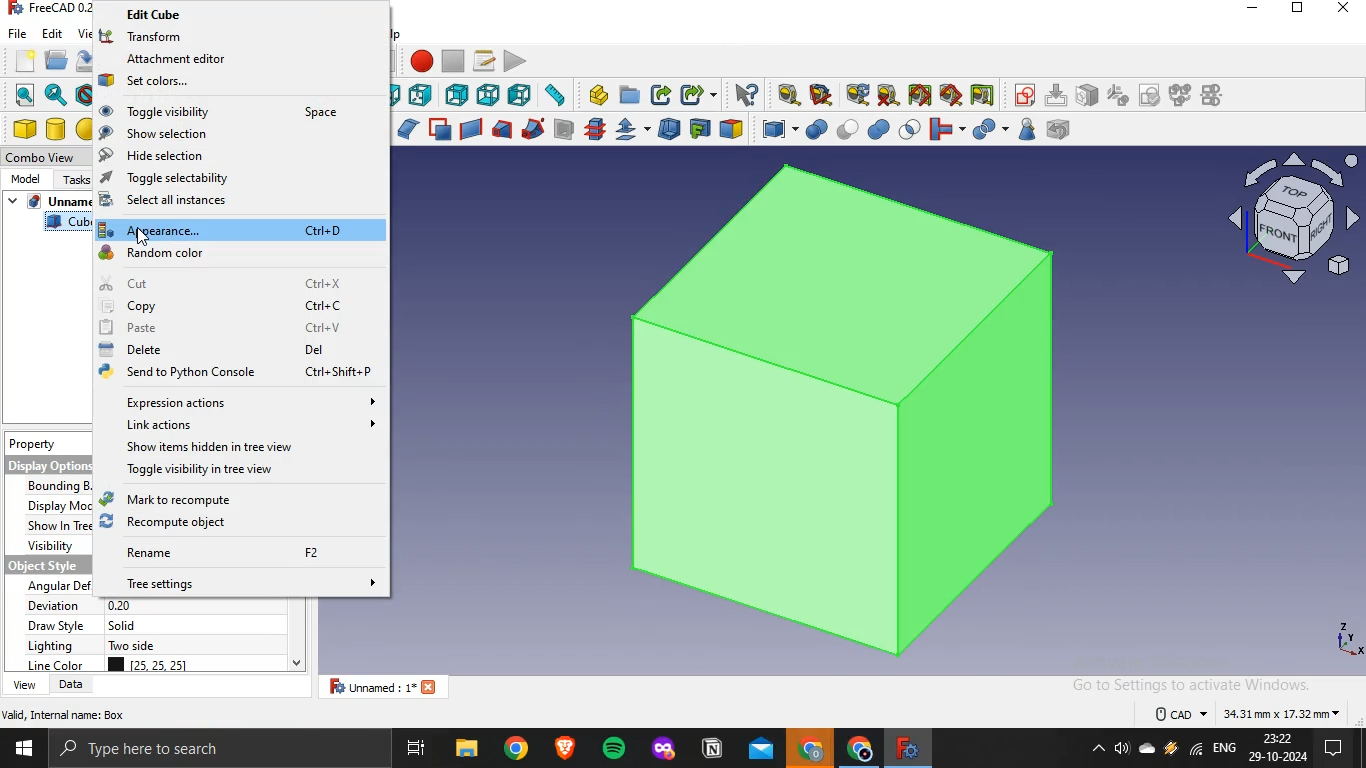  What do you see at coordinates (616, 750) in the screenshot?
I see `spotify` at bounding box center [616, 750].